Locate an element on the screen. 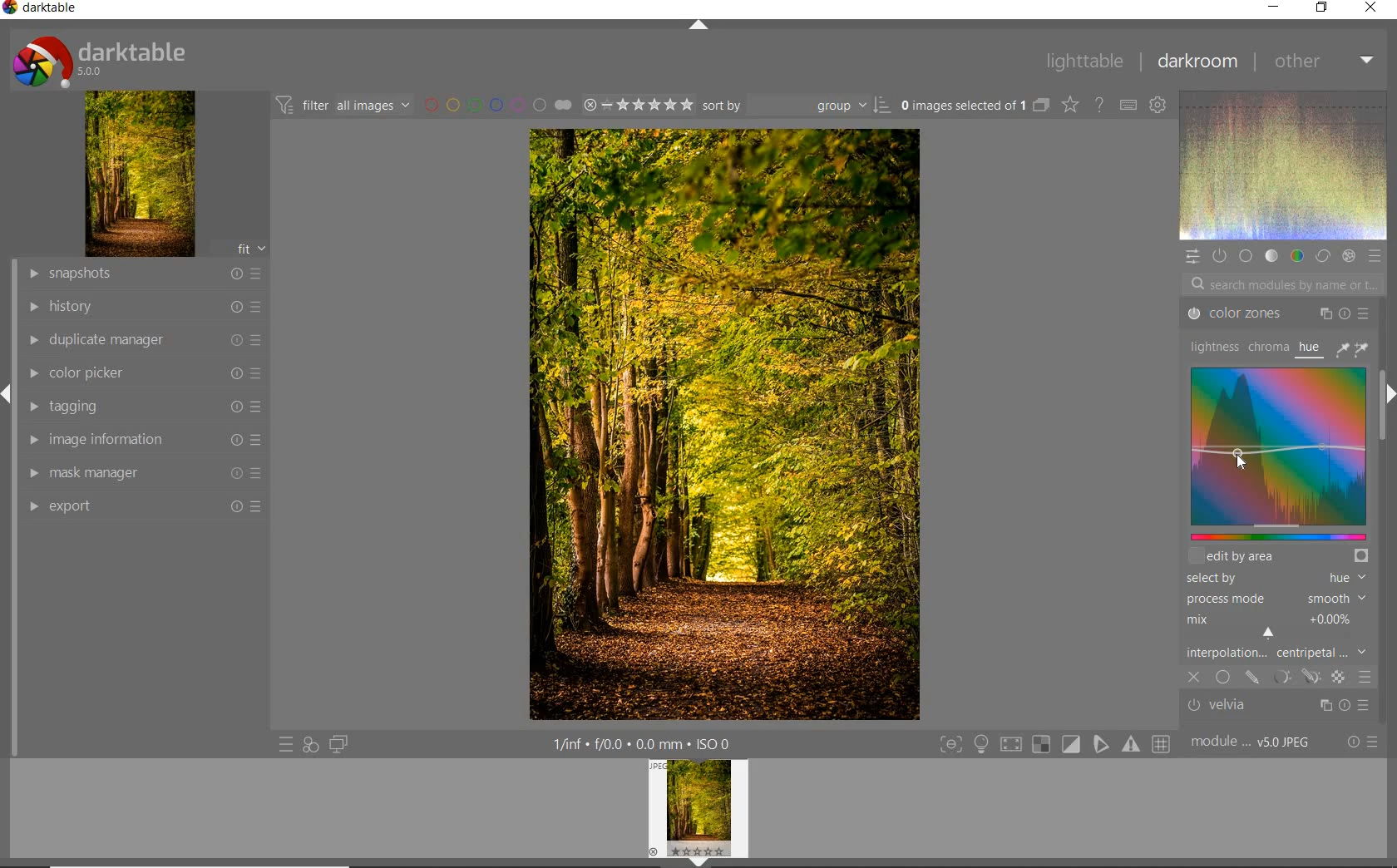 The height and width of the screenshot is (868, 1397). RESTORE is located at coordinates (1320, 8).